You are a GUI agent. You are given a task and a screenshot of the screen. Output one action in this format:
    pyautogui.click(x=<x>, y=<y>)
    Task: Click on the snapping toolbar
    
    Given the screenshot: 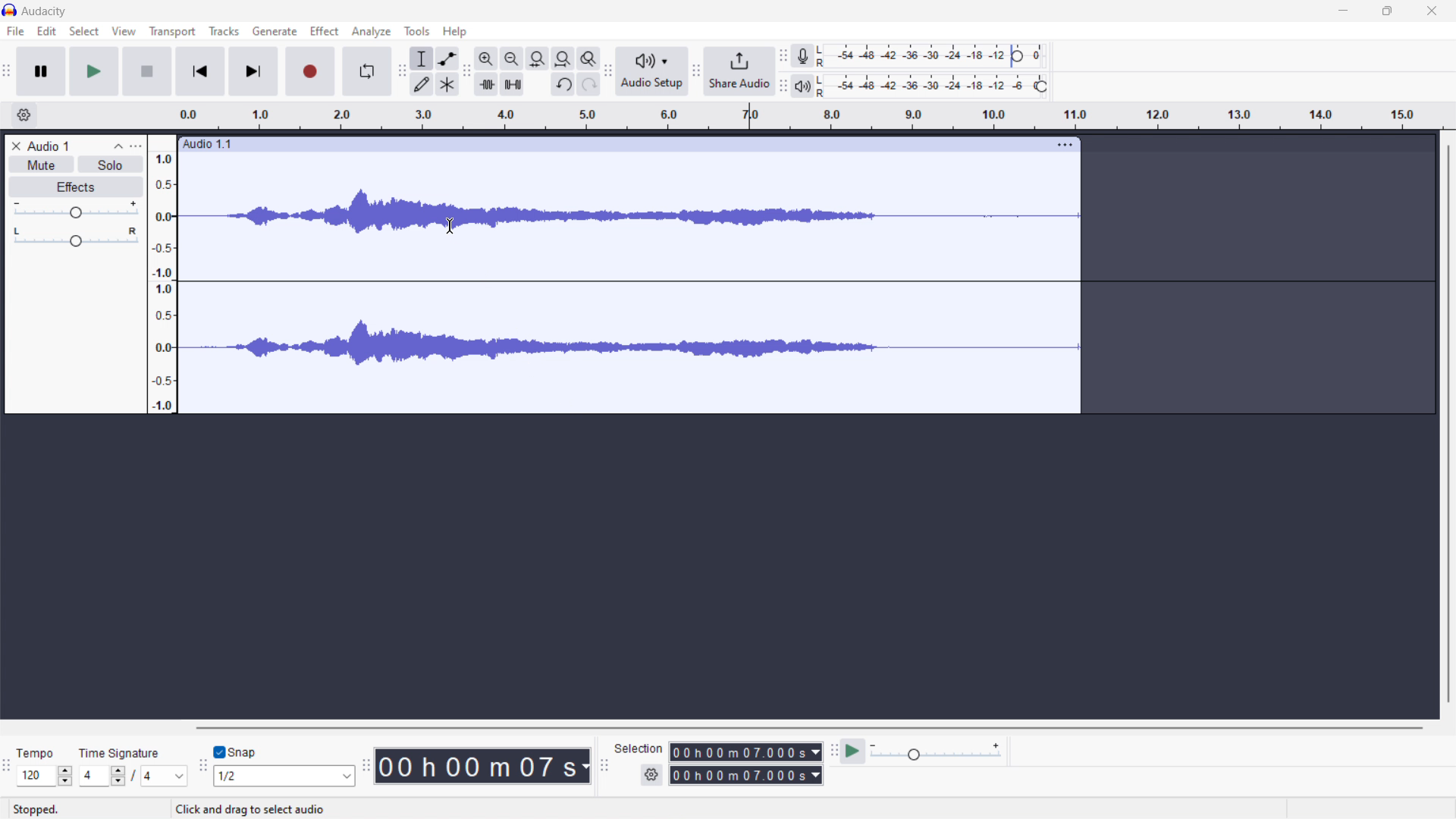 What is the action you would take?
    pyautogui.click(x=202, y=769)
    